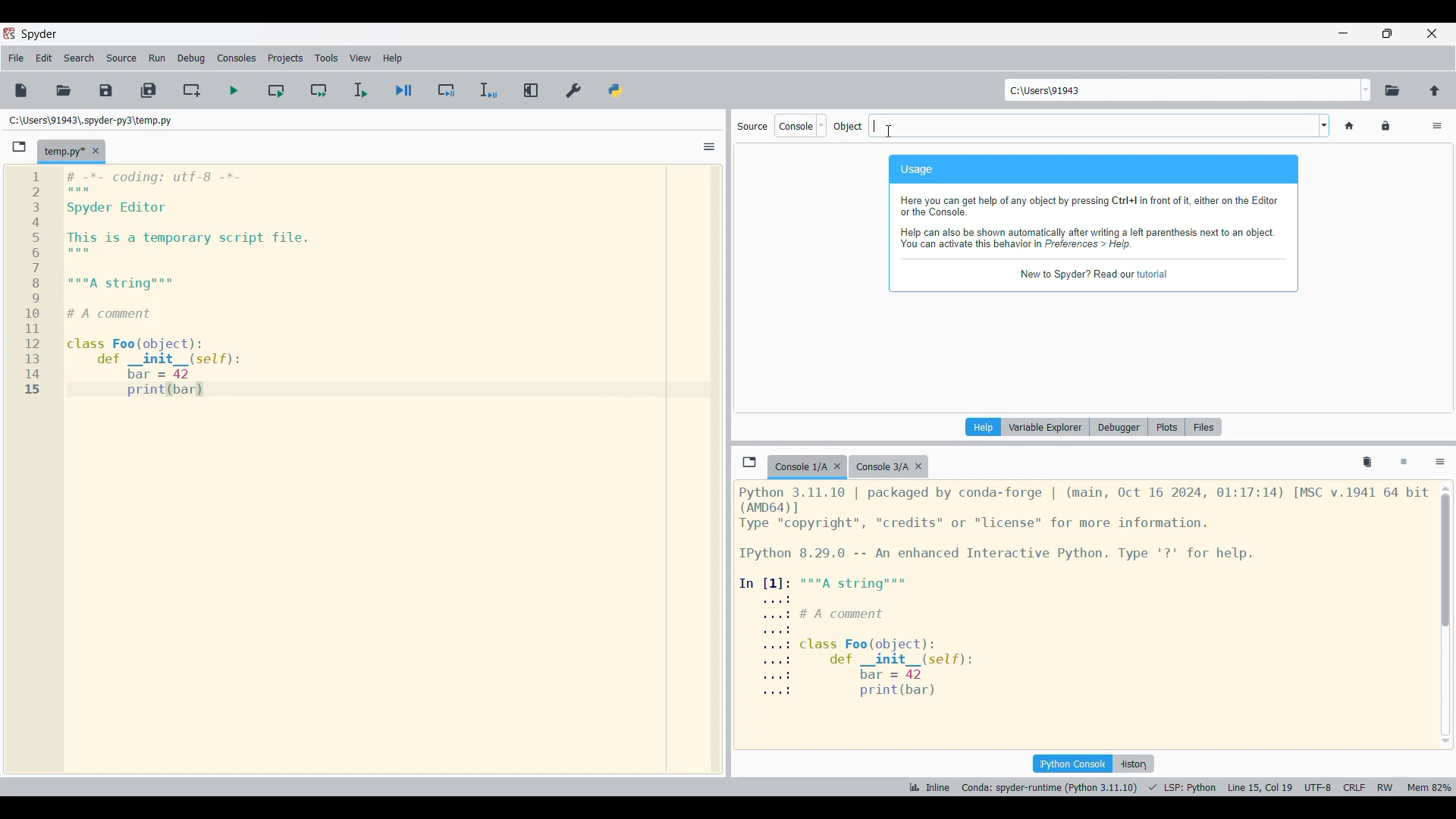  I want to click on Preferences, so click(573, 90).